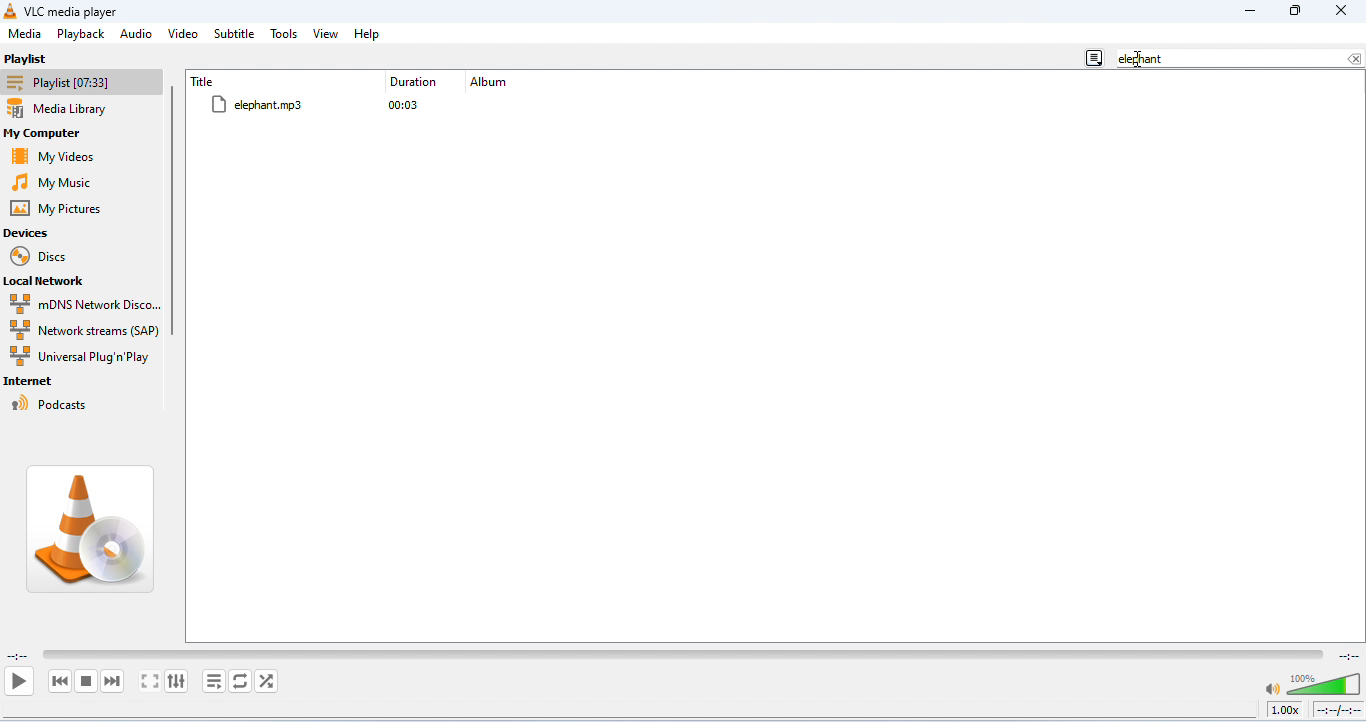 The image size is (1366, 722). What do you see at coordinates (31, 59) in the screenshot?
I see `playlist` at bounding box center [31, 59].